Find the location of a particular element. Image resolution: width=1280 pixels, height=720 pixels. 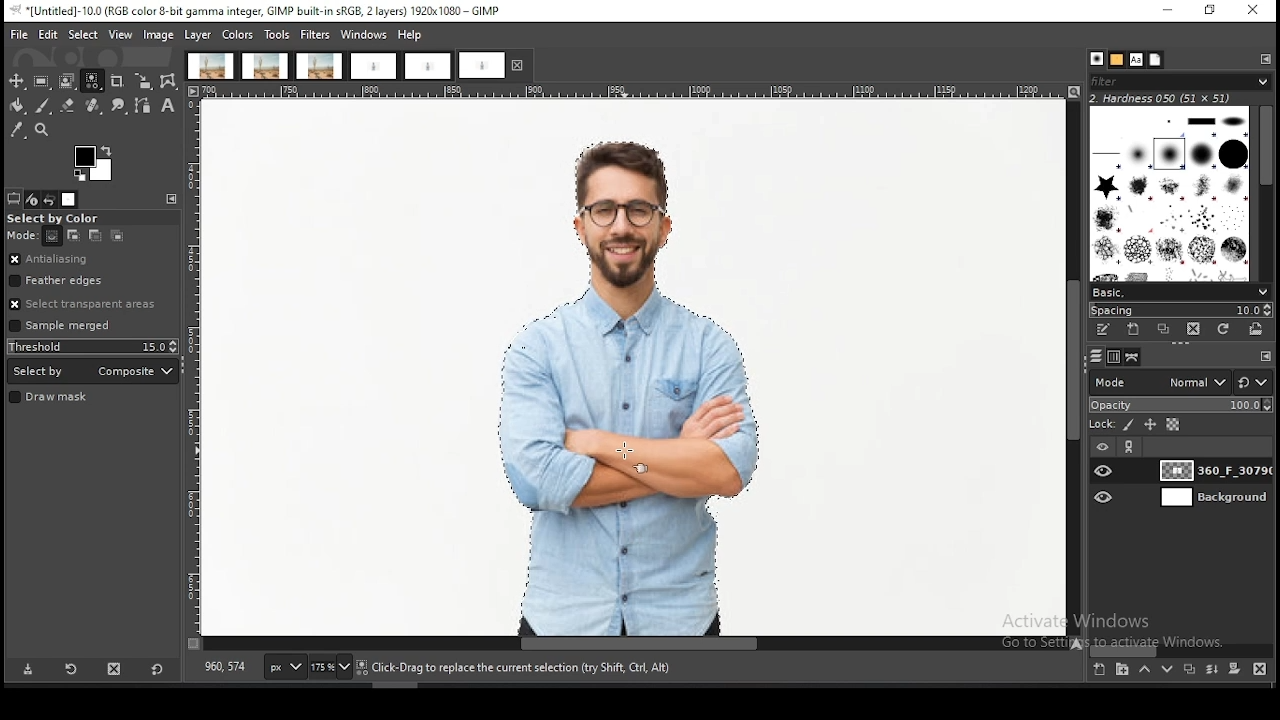

merge layers is located at coordinates (1212, 668).